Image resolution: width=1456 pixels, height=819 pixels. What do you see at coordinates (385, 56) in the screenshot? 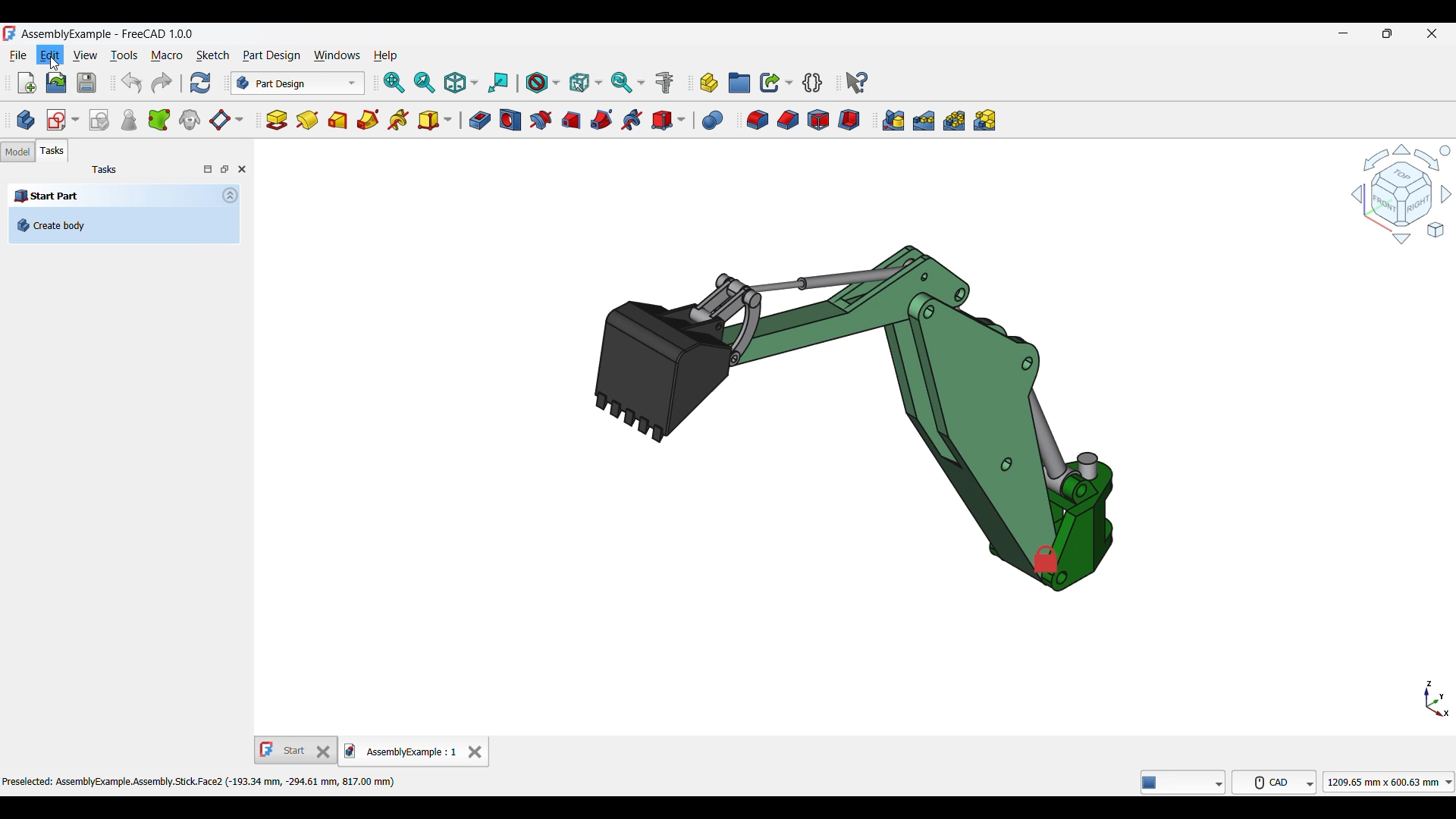
I see `Help menu` at bounding box center [385, 56].